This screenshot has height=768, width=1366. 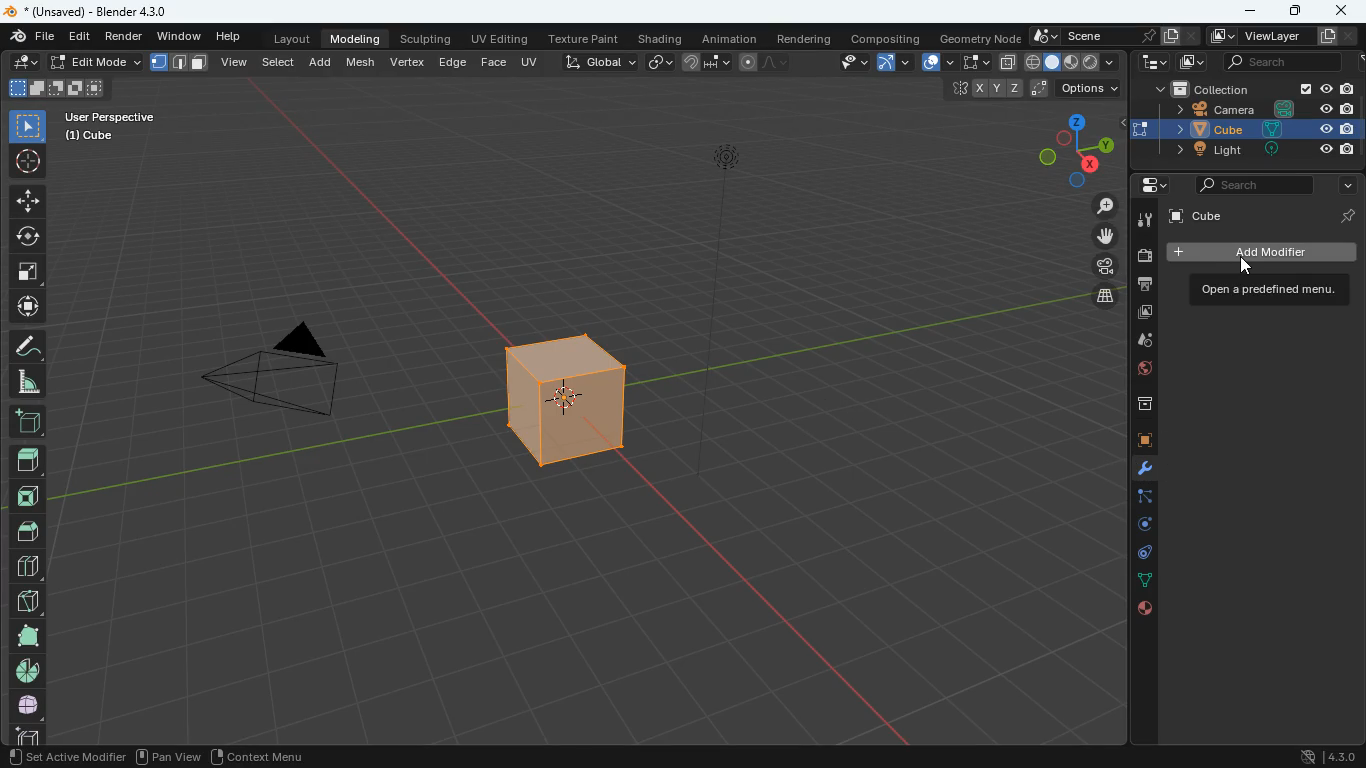 I want to click on geometry node, so click(x=980, y=36).